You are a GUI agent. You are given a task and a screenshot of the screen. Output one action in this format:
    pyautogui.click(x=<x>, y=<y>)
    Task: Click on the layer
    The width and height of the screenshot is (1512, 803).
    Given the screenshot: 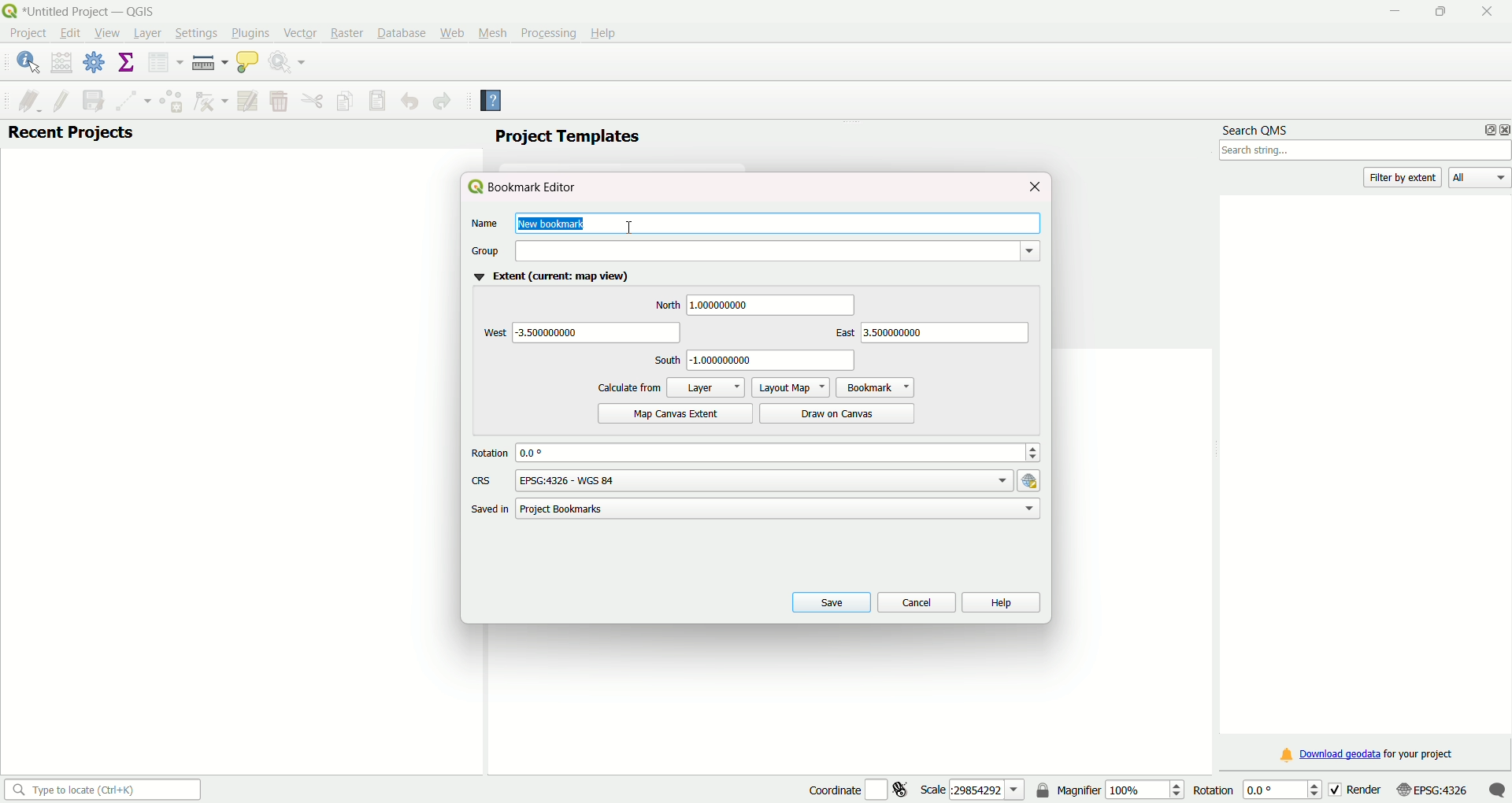 What is the action you would take?
    pyautogui.click(x=706, y=387)
    